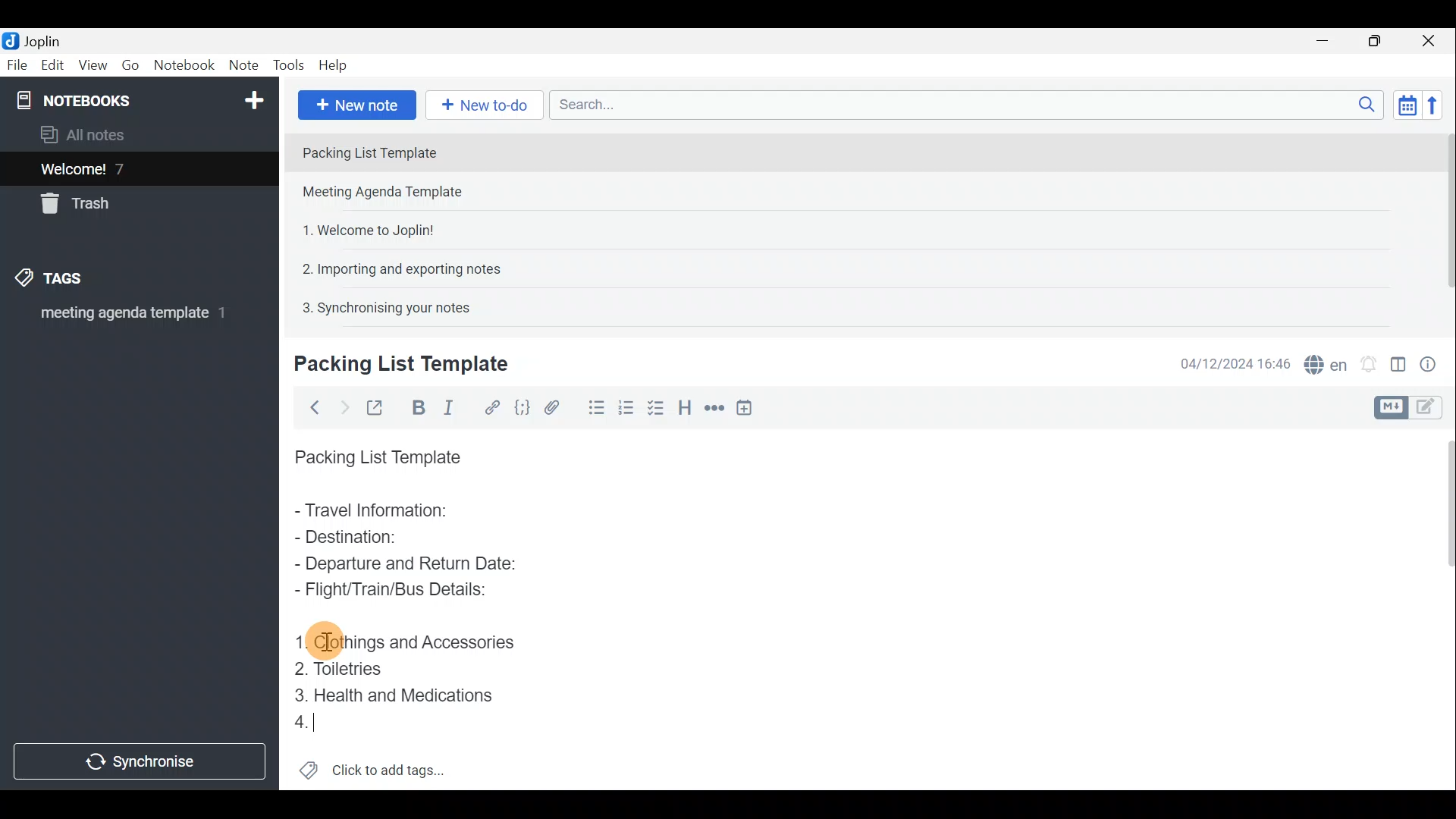 The width and height of the screenshot is (1456, 819). I want to click on Note properties, so click(1433, 362).